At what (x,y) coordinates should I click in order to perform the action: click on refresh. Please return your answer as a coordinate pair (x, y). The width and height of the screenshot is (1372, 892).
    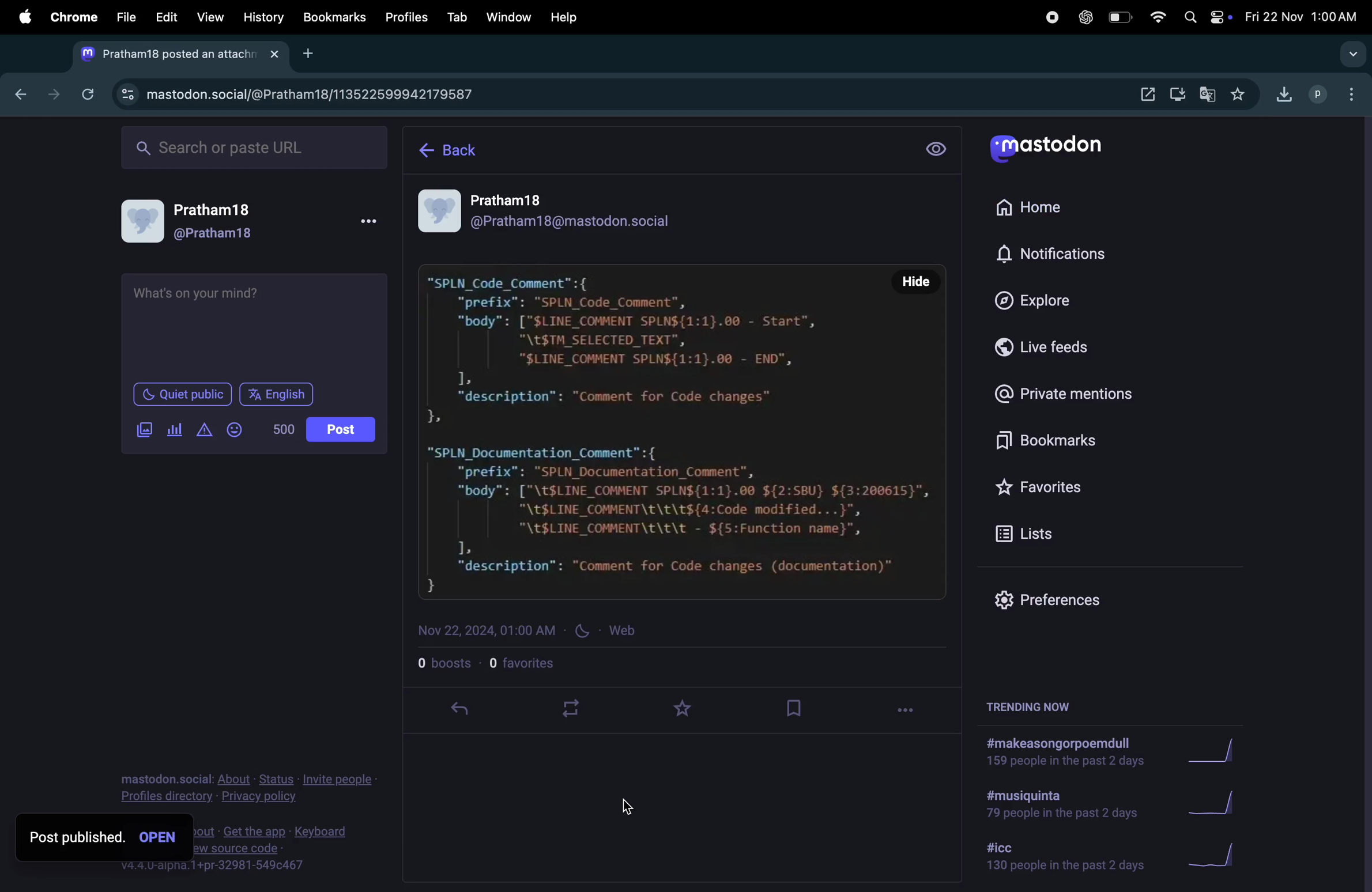
    Looking at the image, I should click on (88, 93).